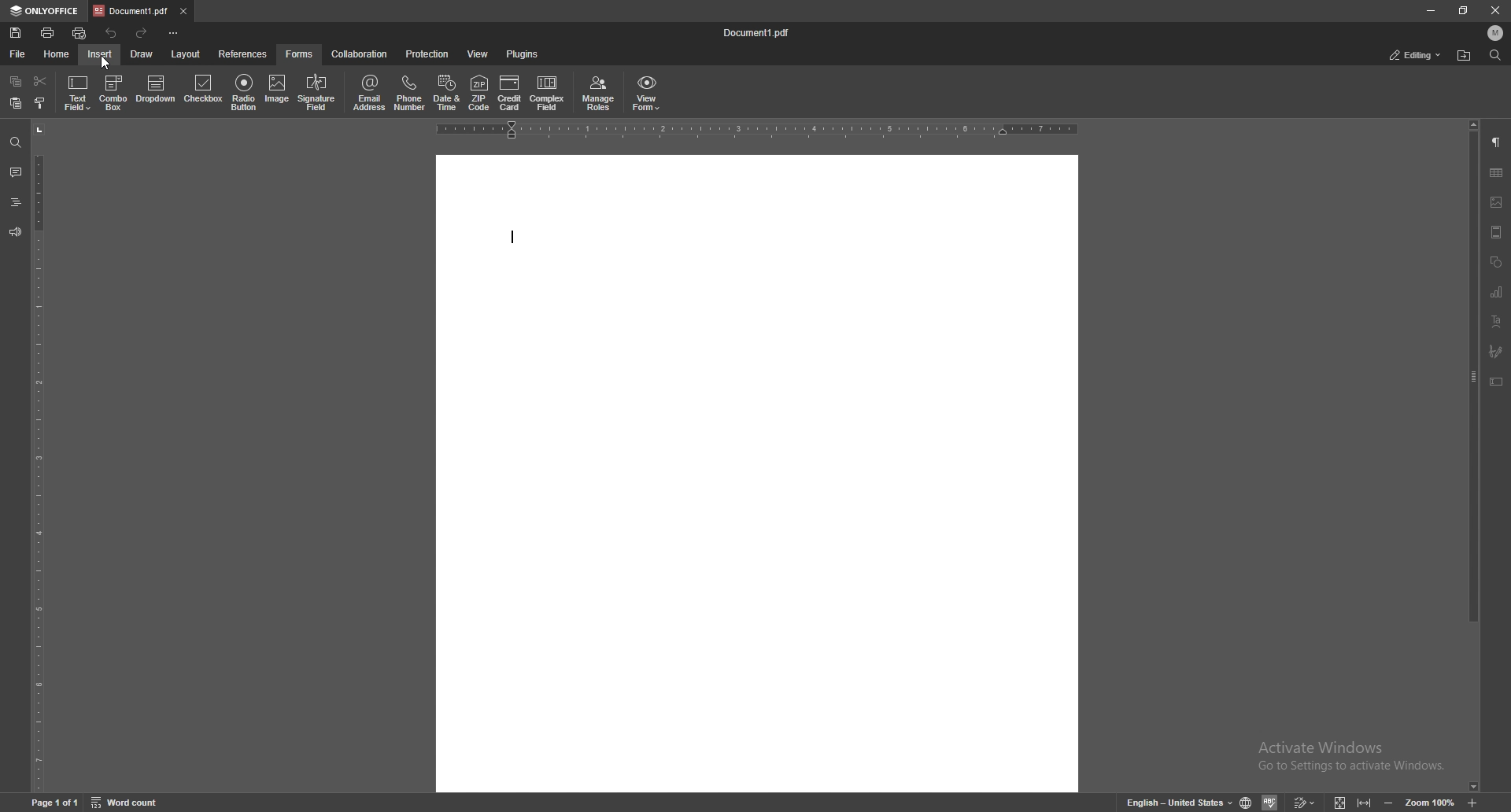 The width and height of the screenshot is (1511, 812). Describe the element at coordinates (757, 130) in the screenshot. I see `horizontal scale` at that location.